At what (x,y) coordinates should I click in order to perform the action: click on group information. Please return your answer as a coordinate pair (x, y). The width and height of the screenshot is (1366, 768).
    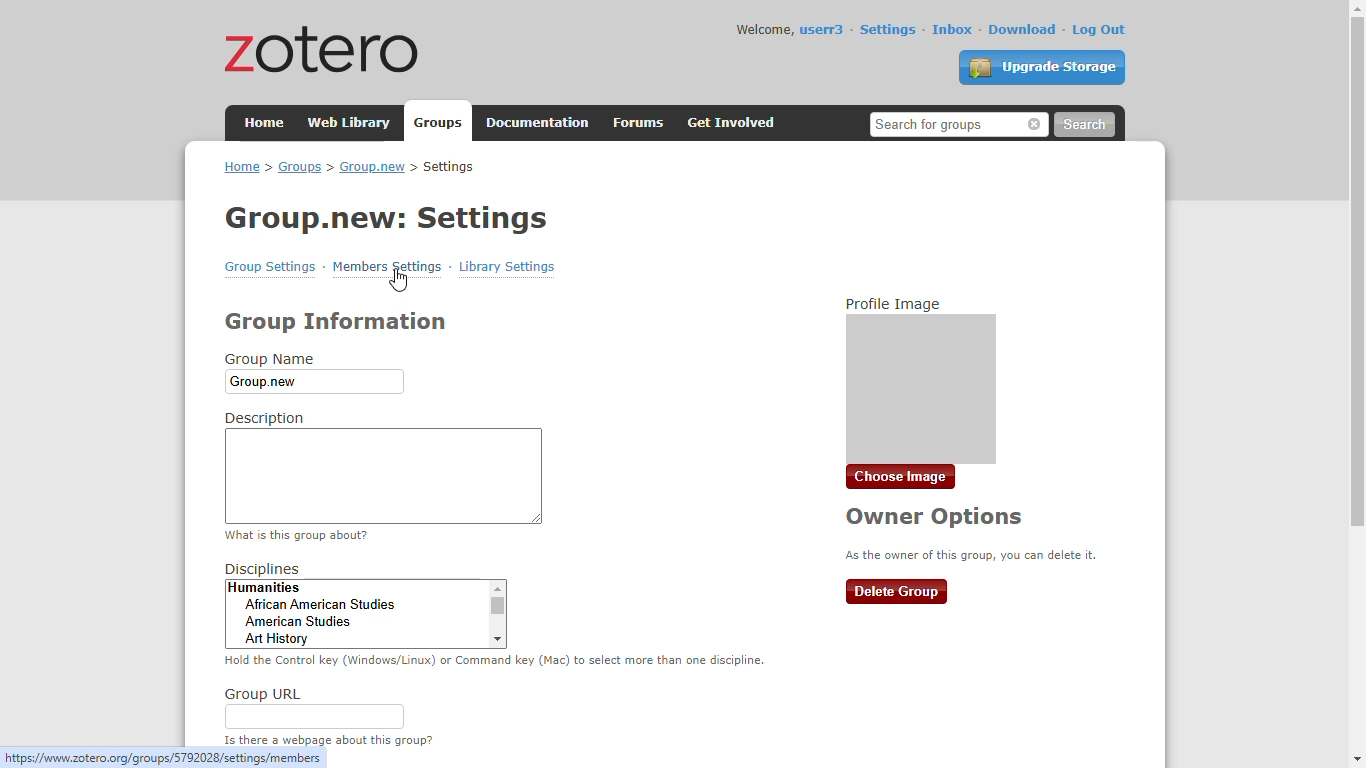
    Looking at the image, I should click on (336, 322).